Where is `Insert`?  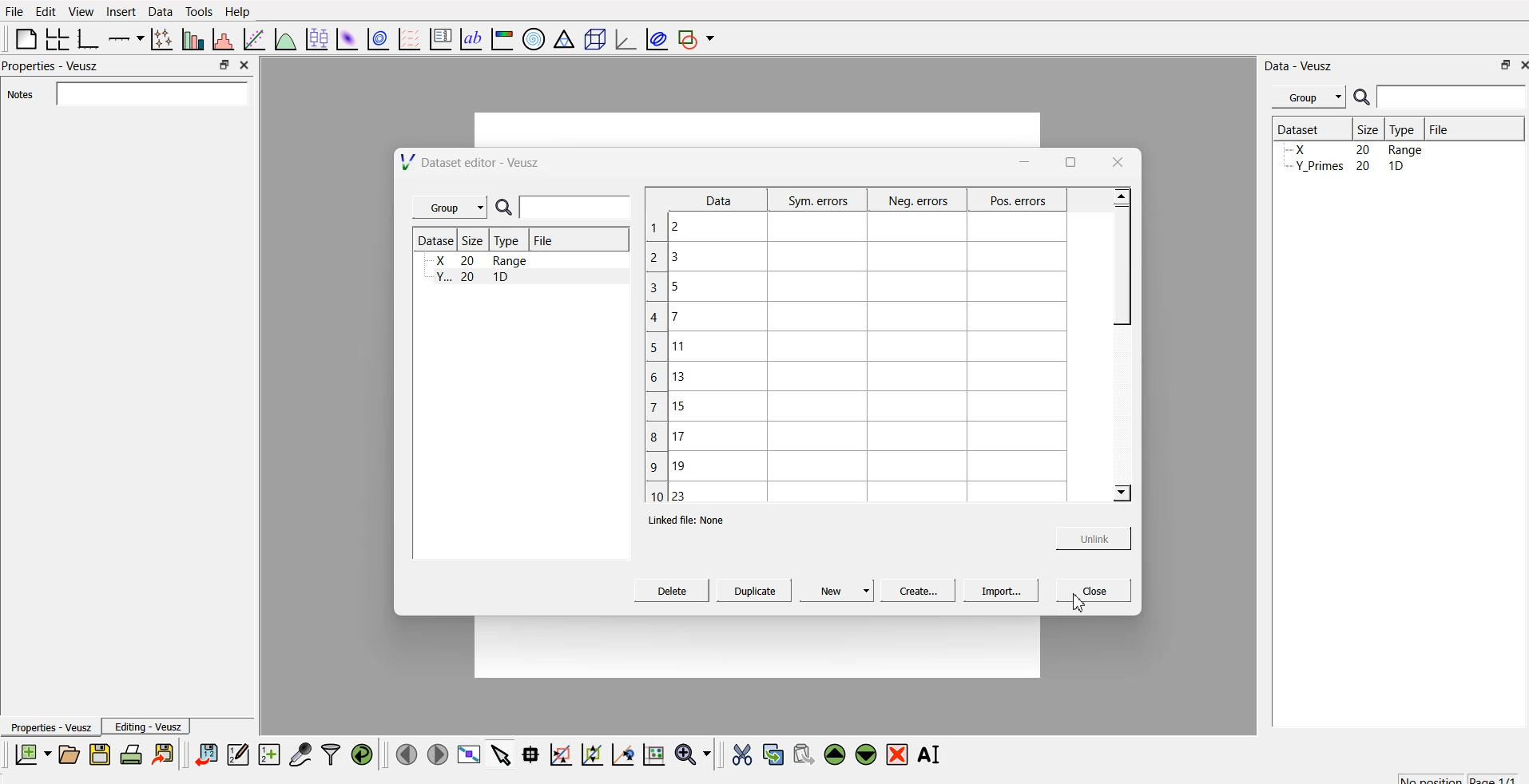 Insert is located at coordinates (121, 11).